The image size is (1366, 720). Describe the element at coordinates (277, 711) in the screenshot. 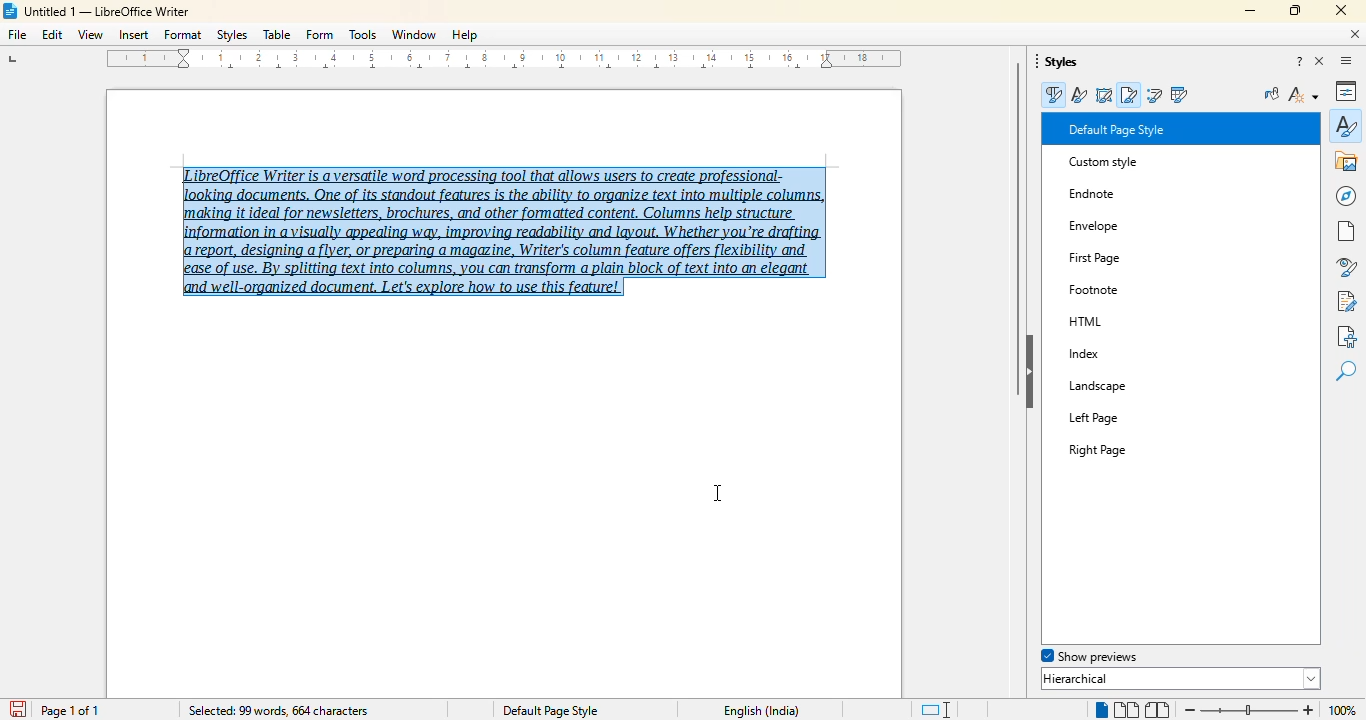

I see `selected: 99 words, 664 characters` at that location.